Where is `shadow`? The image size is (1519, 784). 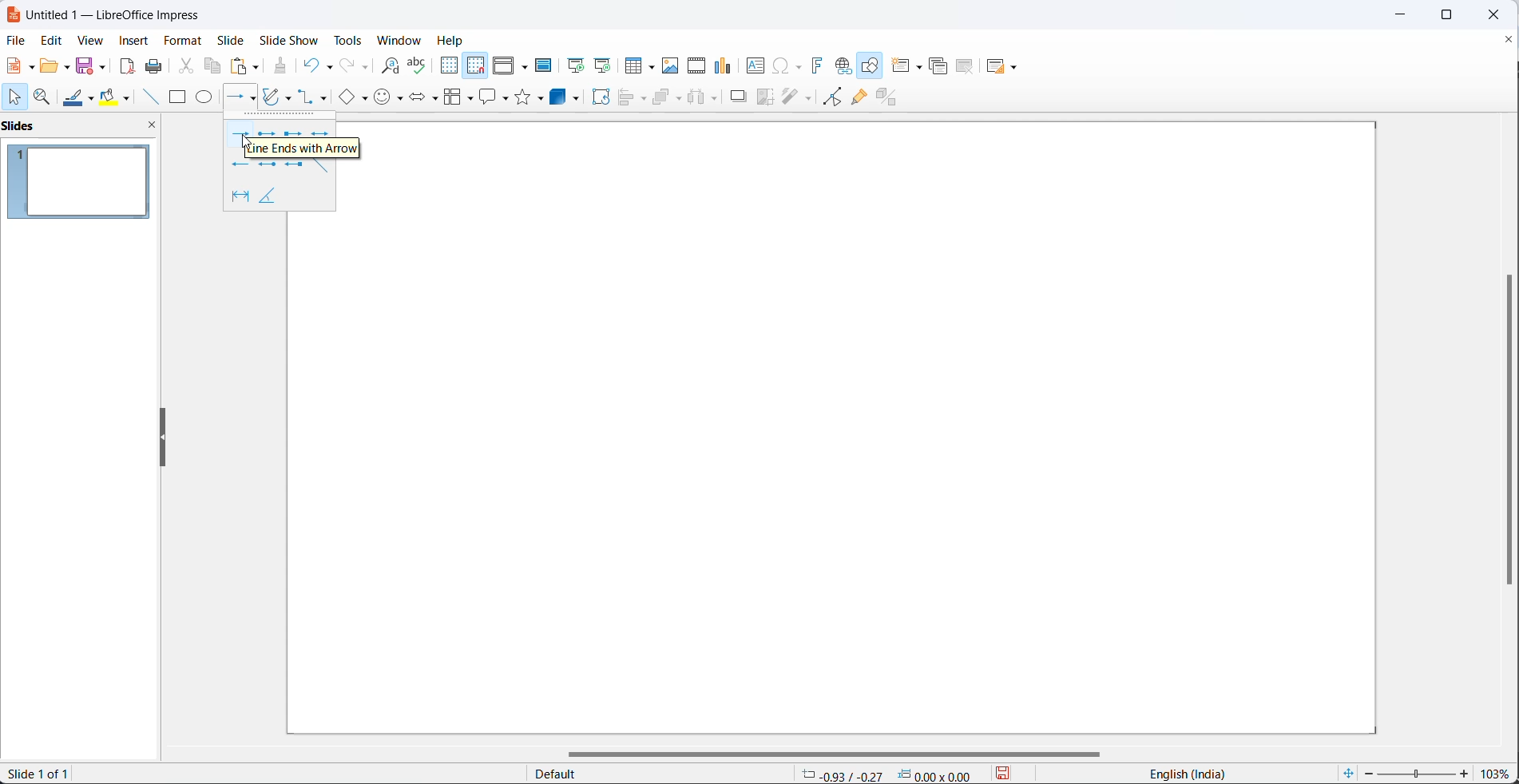
shadow is located at coordinates (737, 100).